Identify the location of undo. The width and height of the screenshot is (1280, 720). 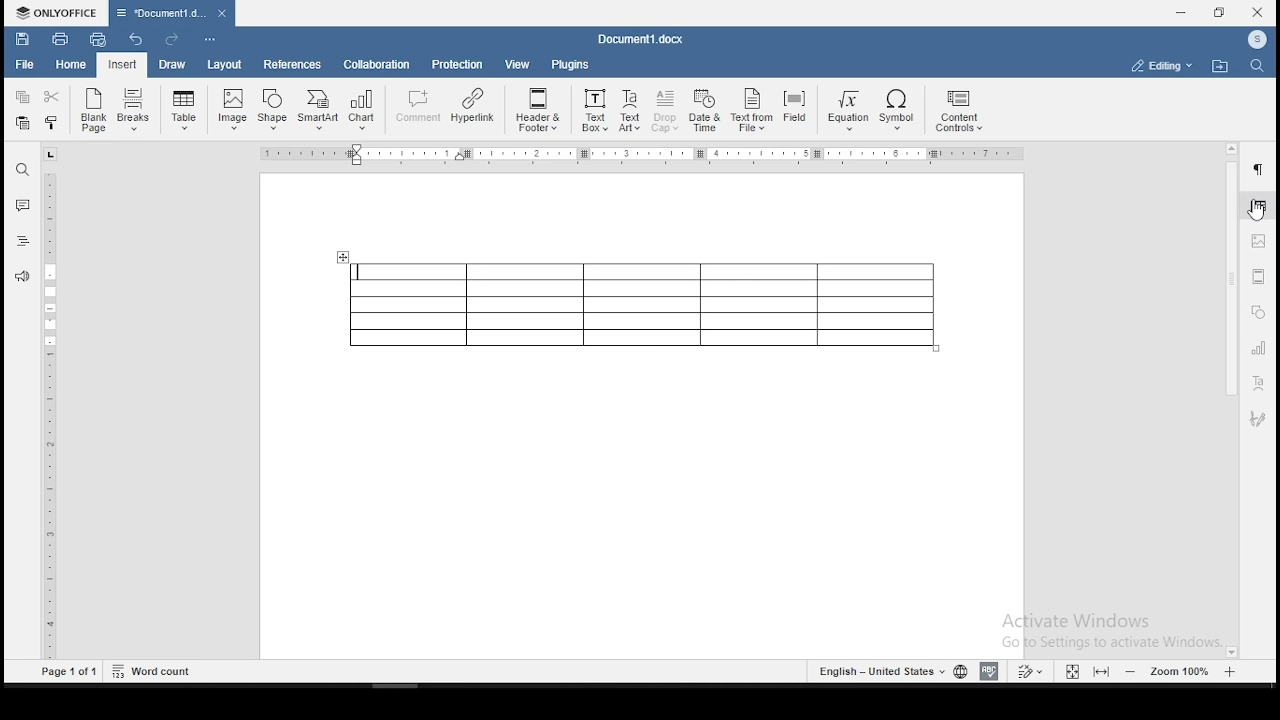
(139, 41).